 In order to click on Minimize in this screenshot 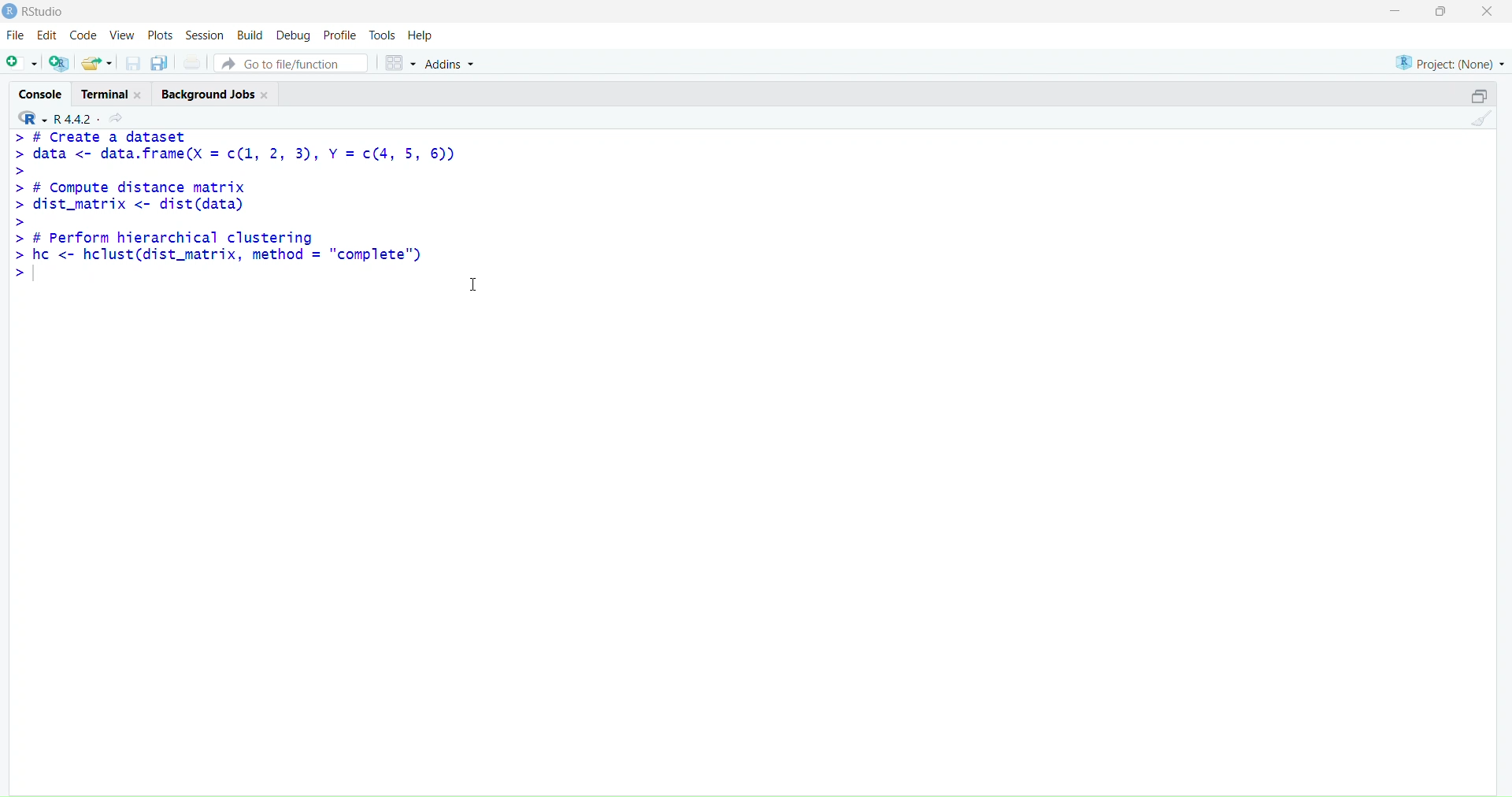, I will do `click(1397, 14)`.